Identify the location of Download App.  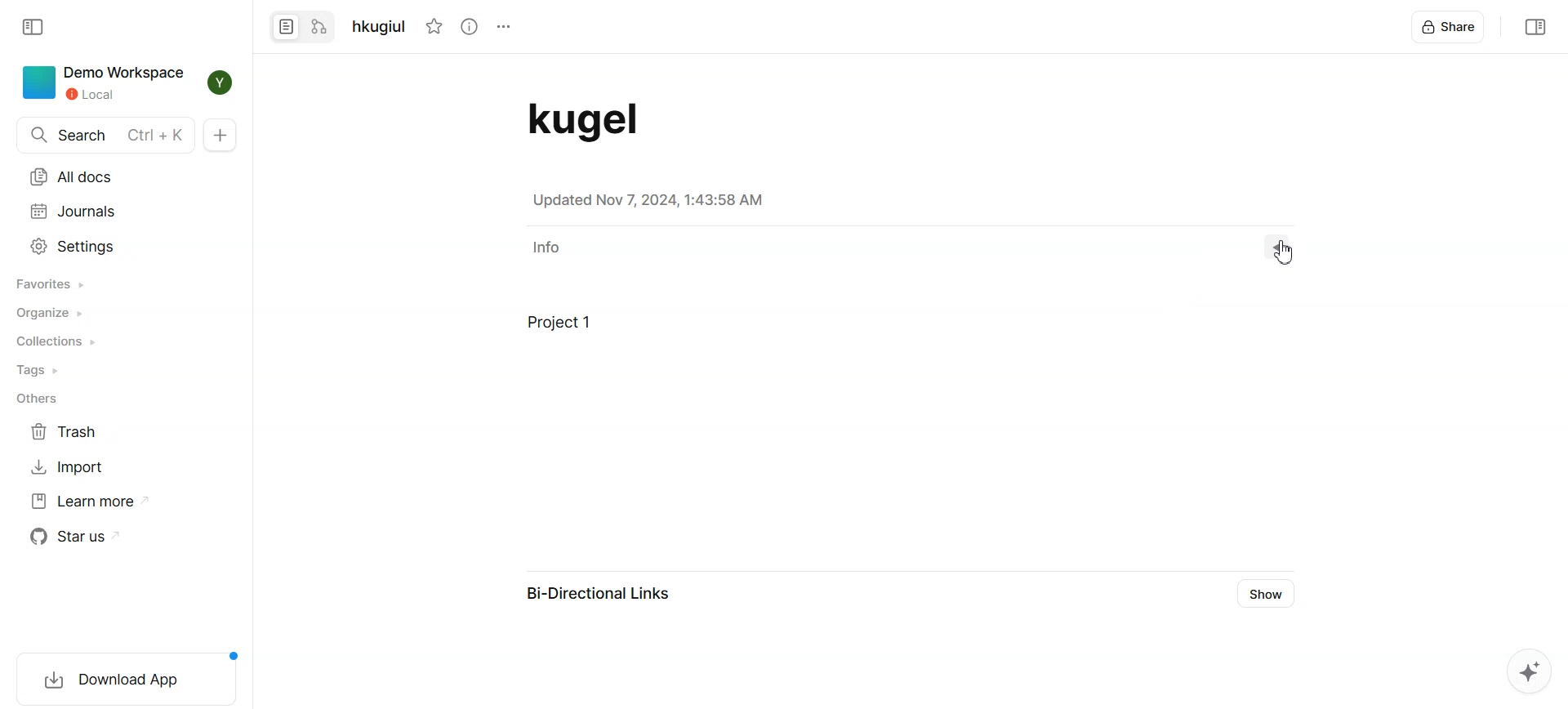
(126, 676).